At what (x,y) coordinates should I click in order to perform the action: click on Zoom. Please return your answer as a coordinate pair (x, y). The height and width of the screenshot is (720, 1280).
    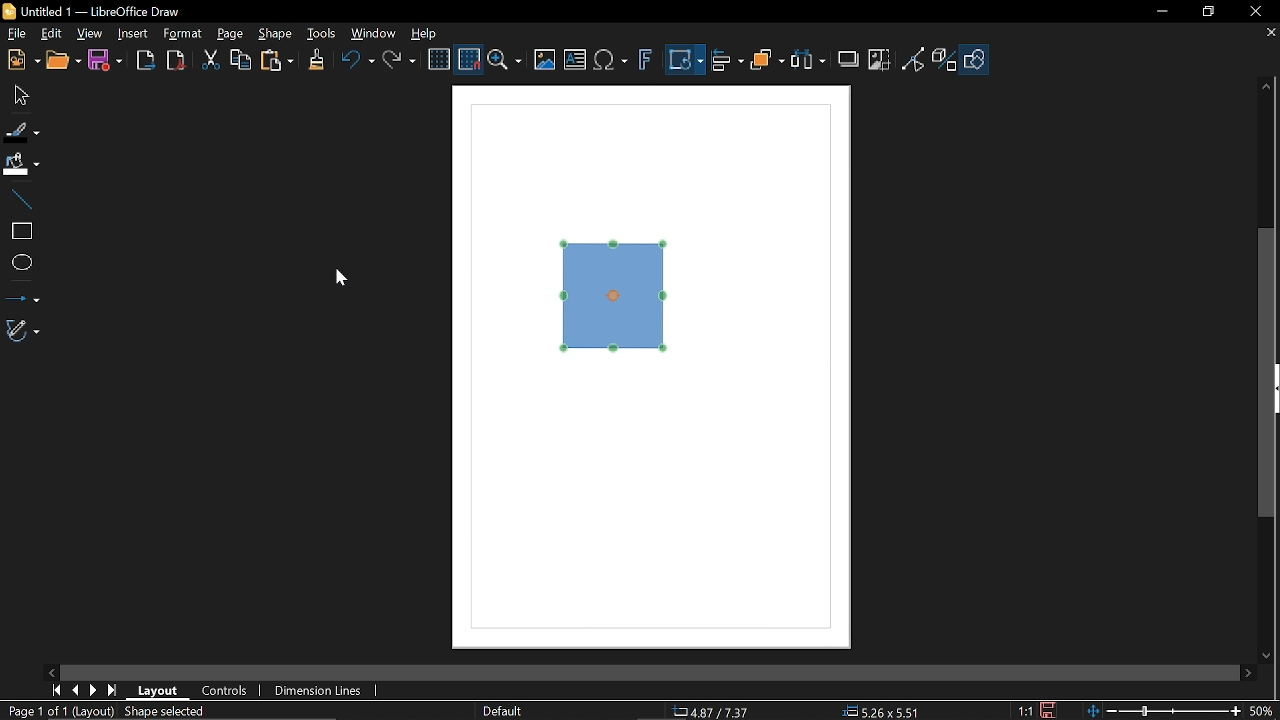
    Looking at the image, I should click on (506, 60).